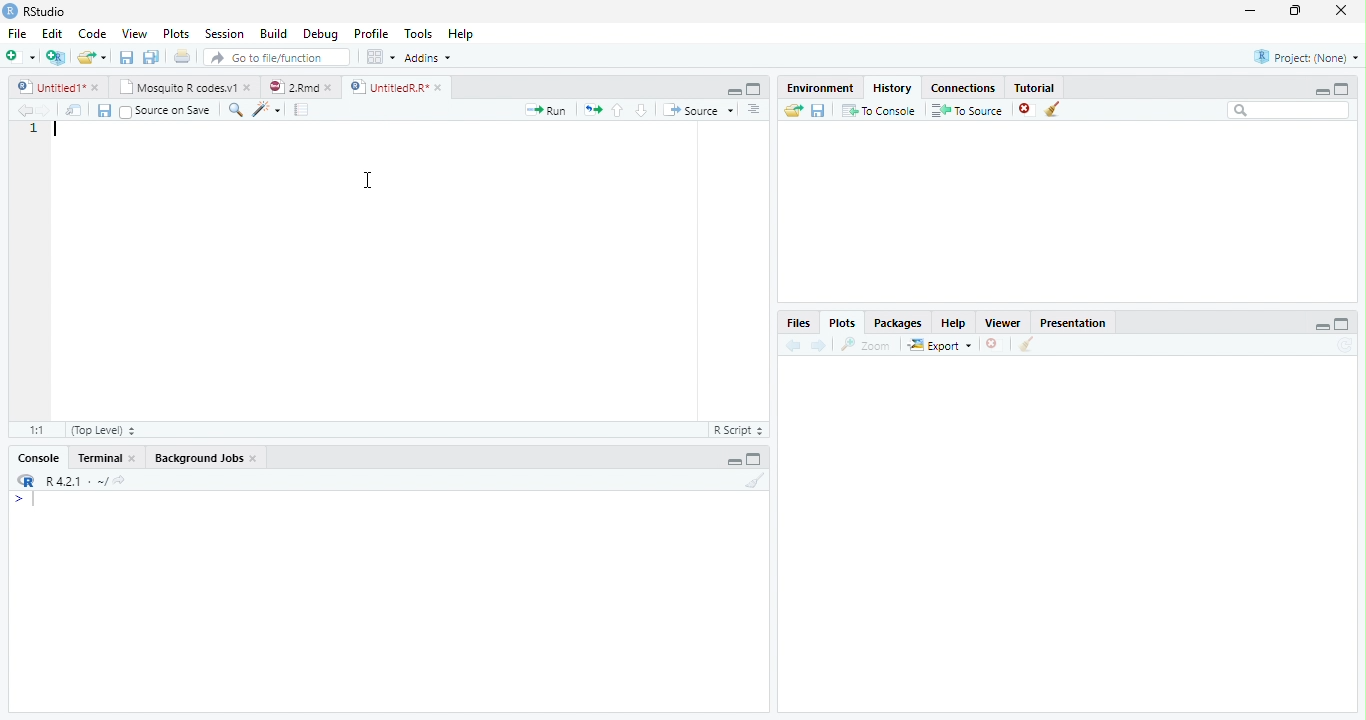  Describe the element at coordinates (1319, 91) in the screenshot. I see `minimize` at that location.